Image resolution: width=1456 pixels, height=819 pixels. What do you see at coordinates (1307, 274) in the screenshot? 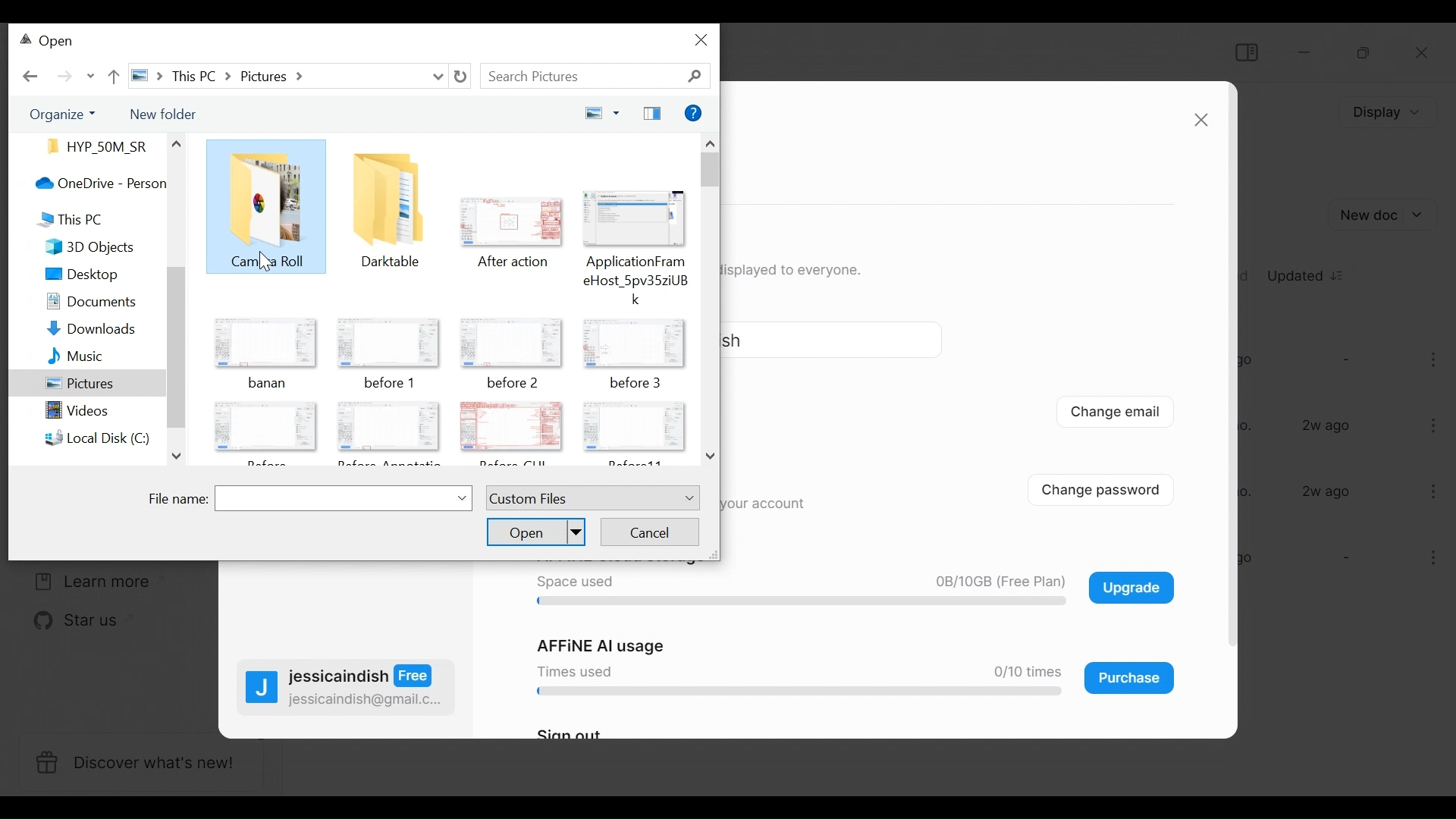
I see `Updated` at bounding box center [1307, 274].